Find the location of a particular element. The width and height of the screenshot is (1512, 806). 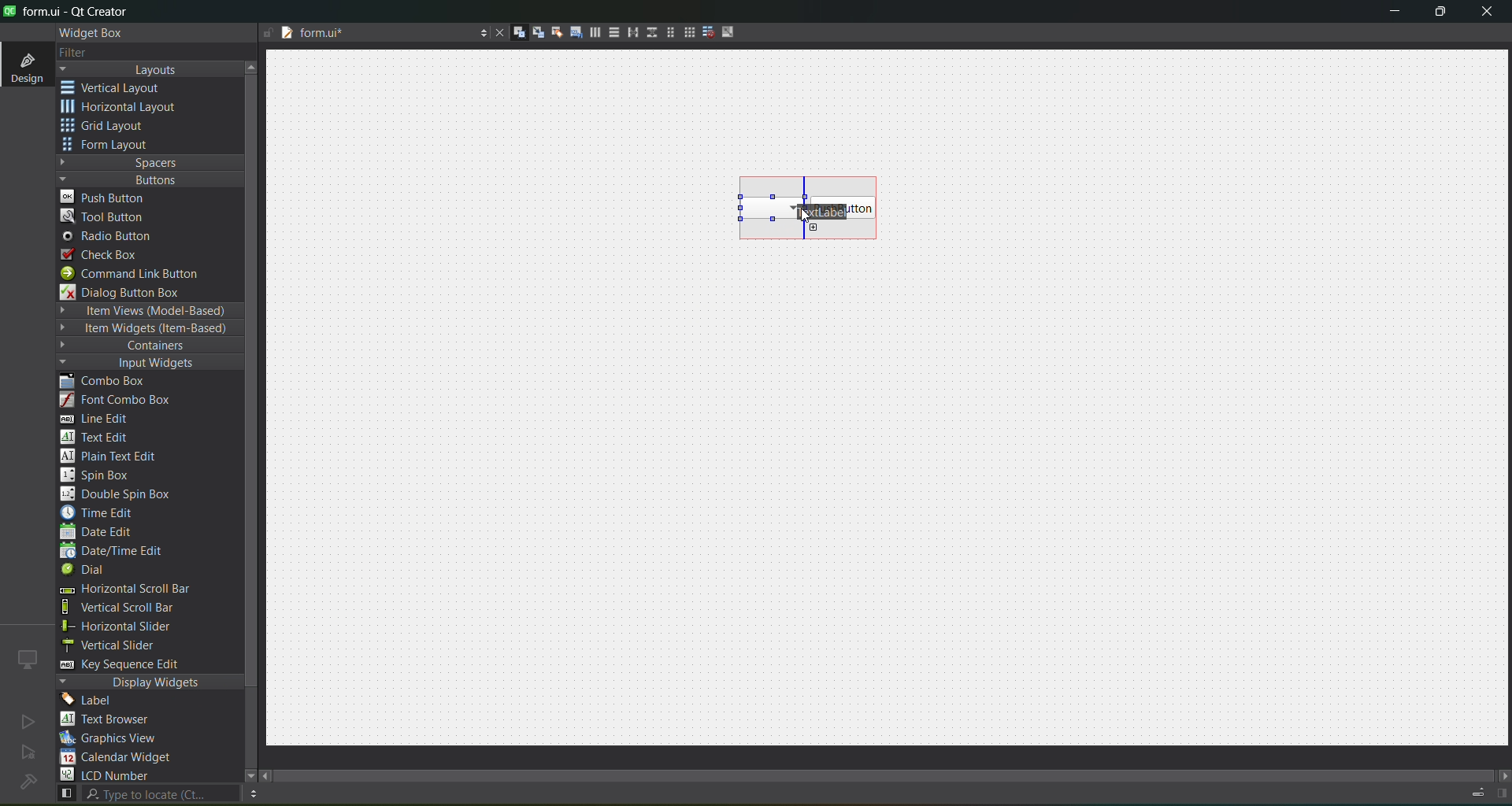

date edit is located at coordinates (100, 533).